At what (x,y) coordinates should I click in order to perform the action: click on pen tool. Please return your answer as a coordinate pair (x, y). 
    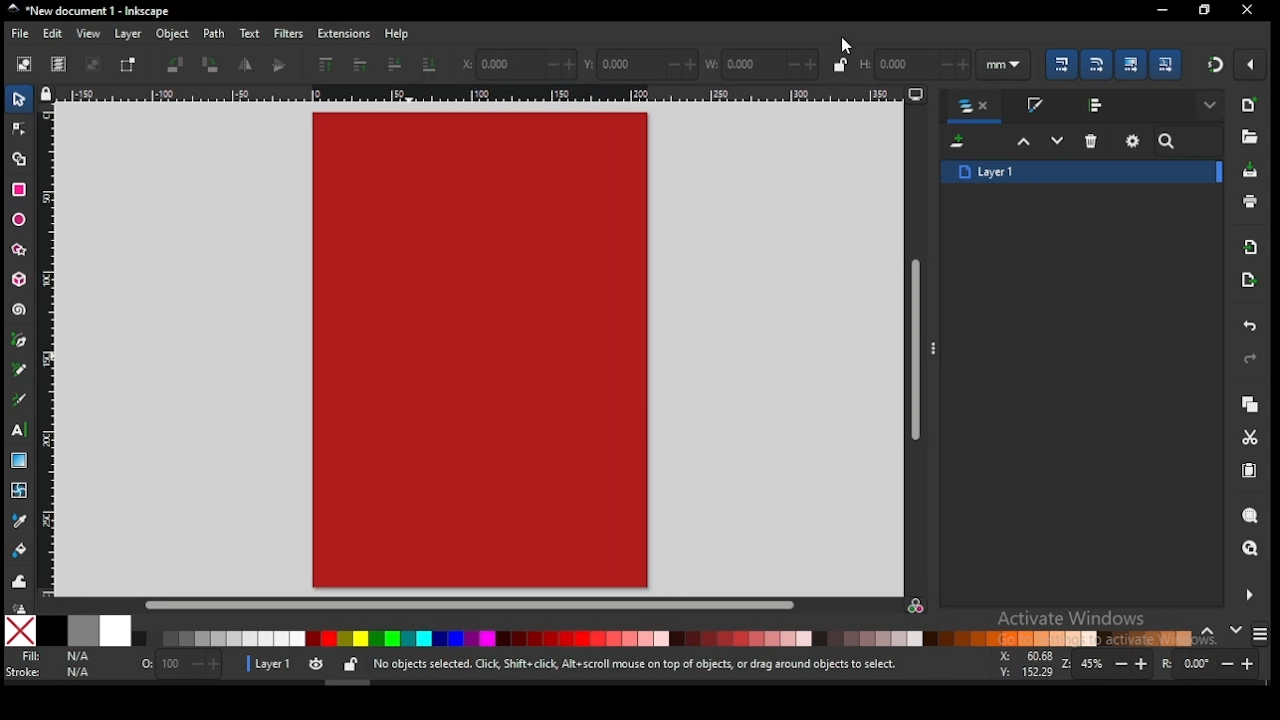
    Looking at the image, I should click on (20, 341).